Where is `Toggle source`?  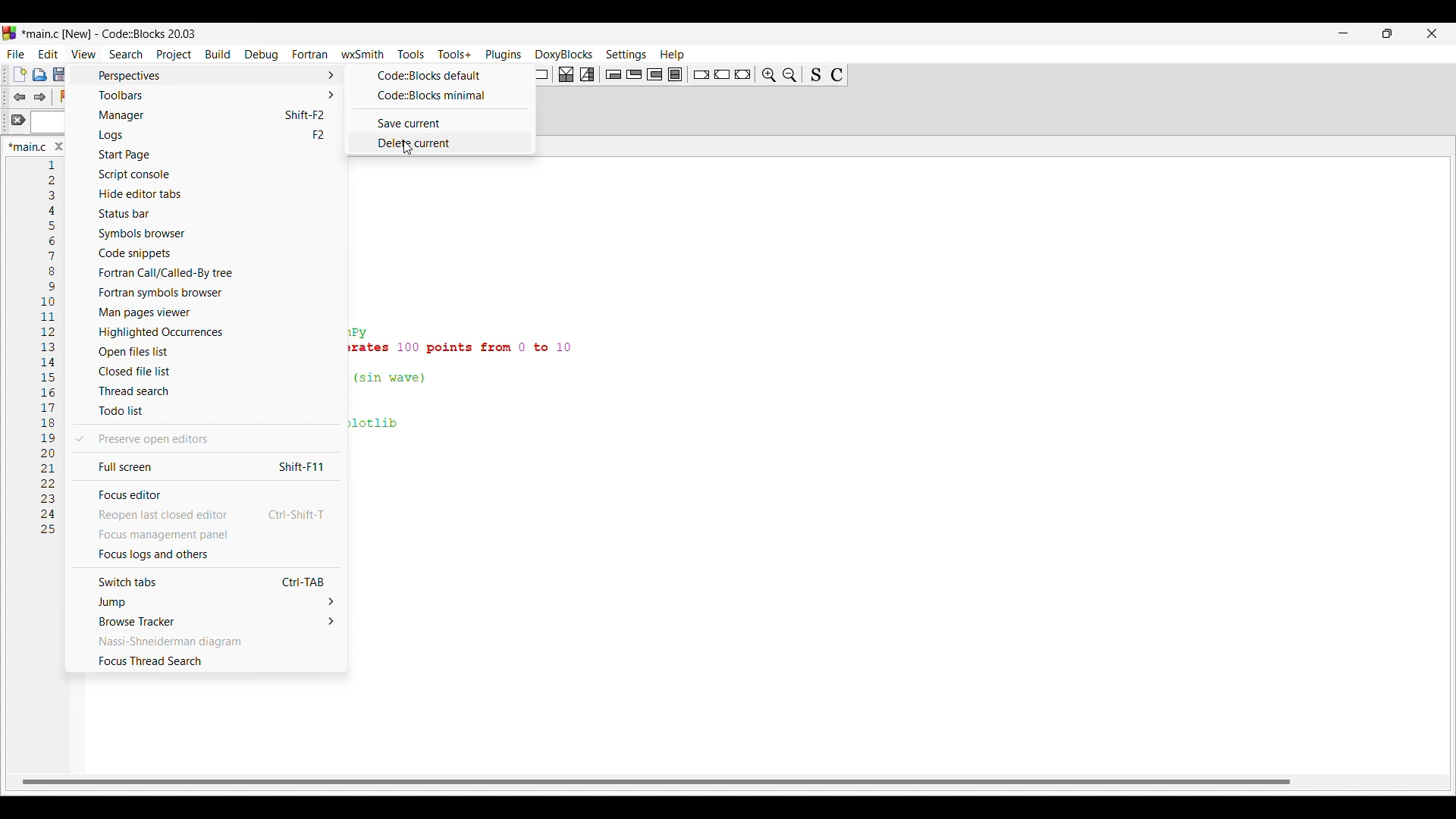 Toggle source is located at coordinates (816, 74).